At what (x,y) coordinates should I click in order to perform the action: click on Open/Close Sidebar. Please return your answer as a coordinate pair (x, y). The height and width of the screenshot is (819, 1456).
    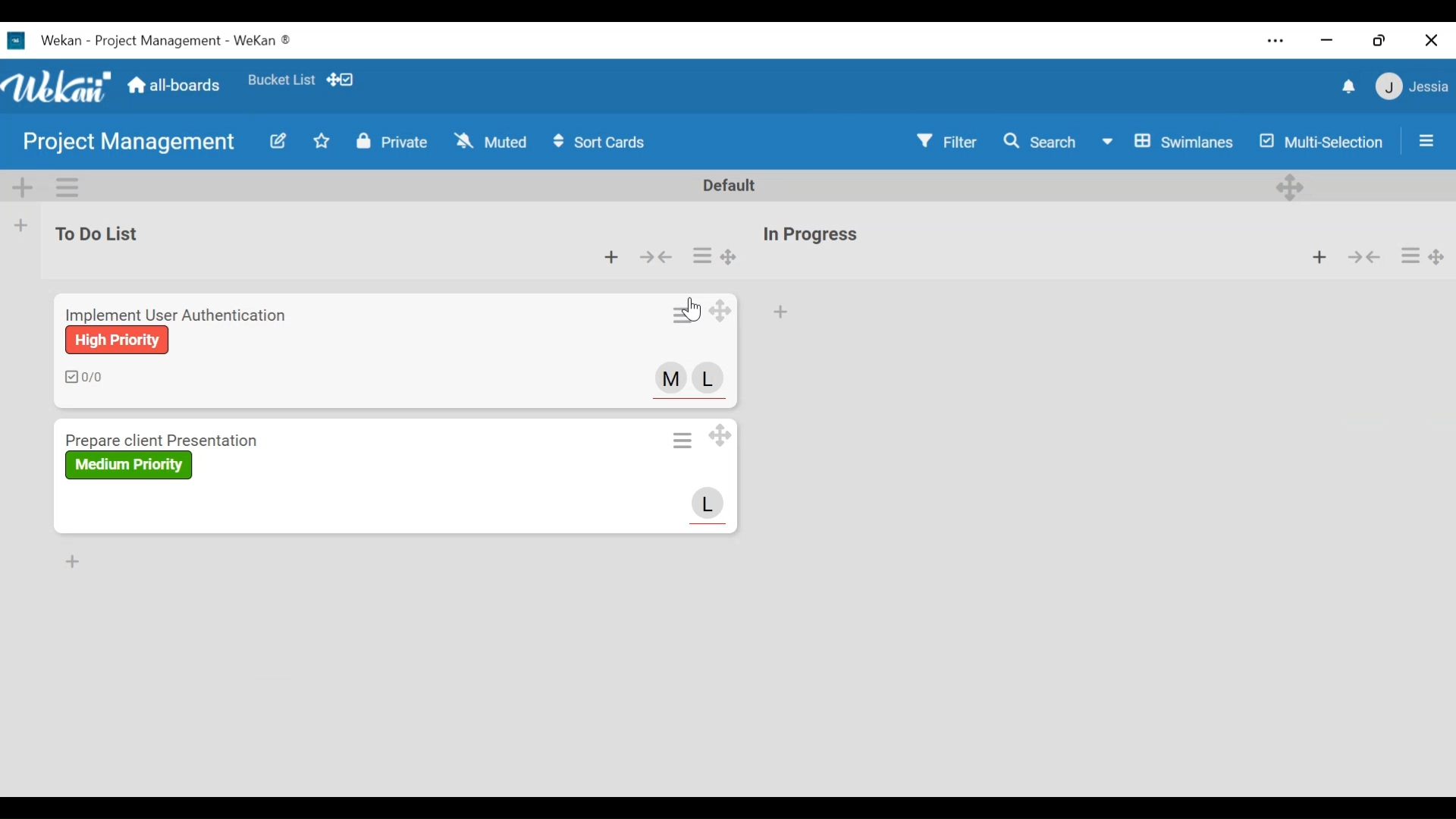
    Looking at the image, I should click on (1426, 142).